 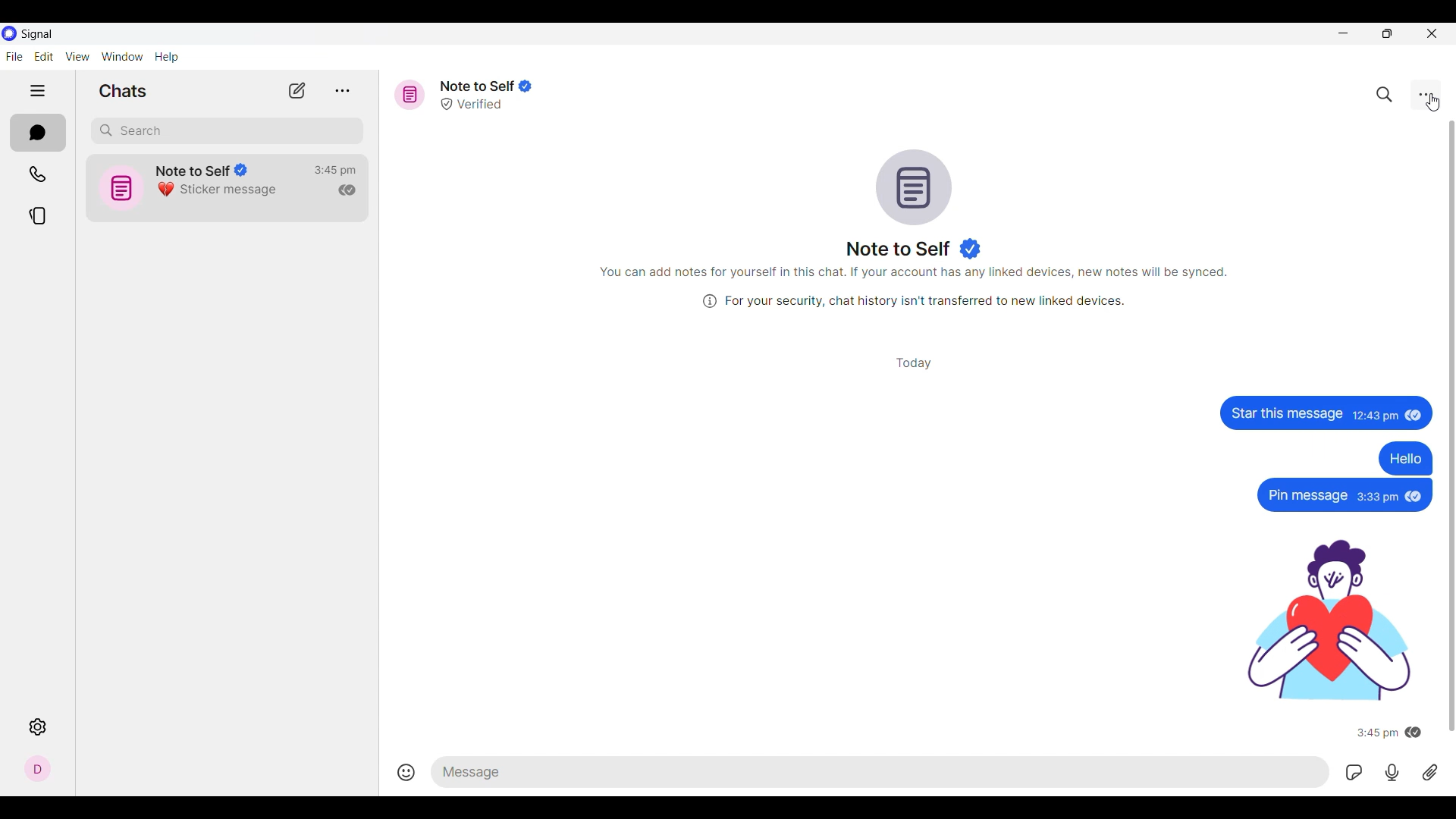 I want to click on seen, so click(x=1415, y=415).